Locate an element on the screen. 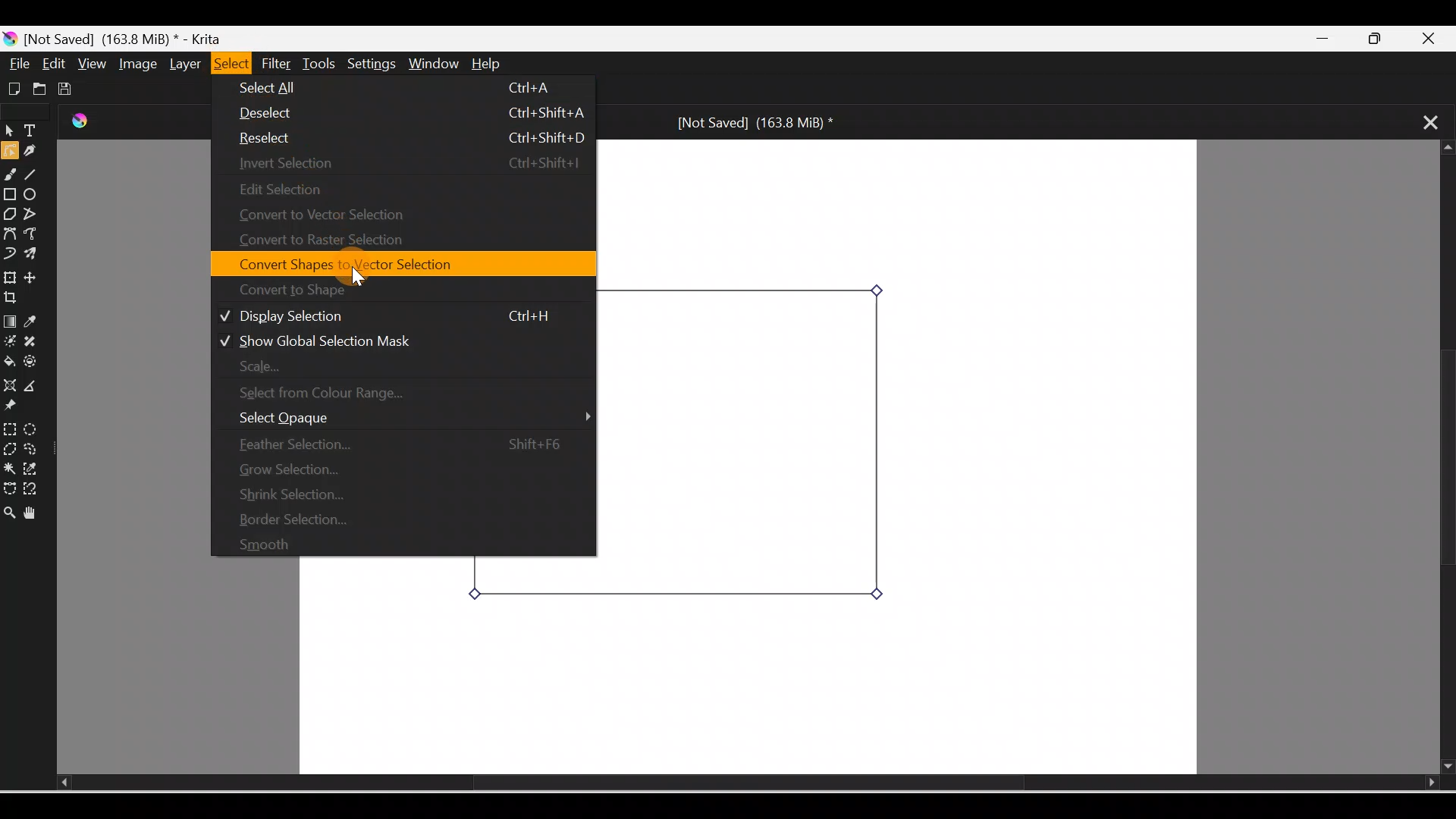 This screenshot has width=1456, height=819. Crop an image is located at coordinates (17, 298).